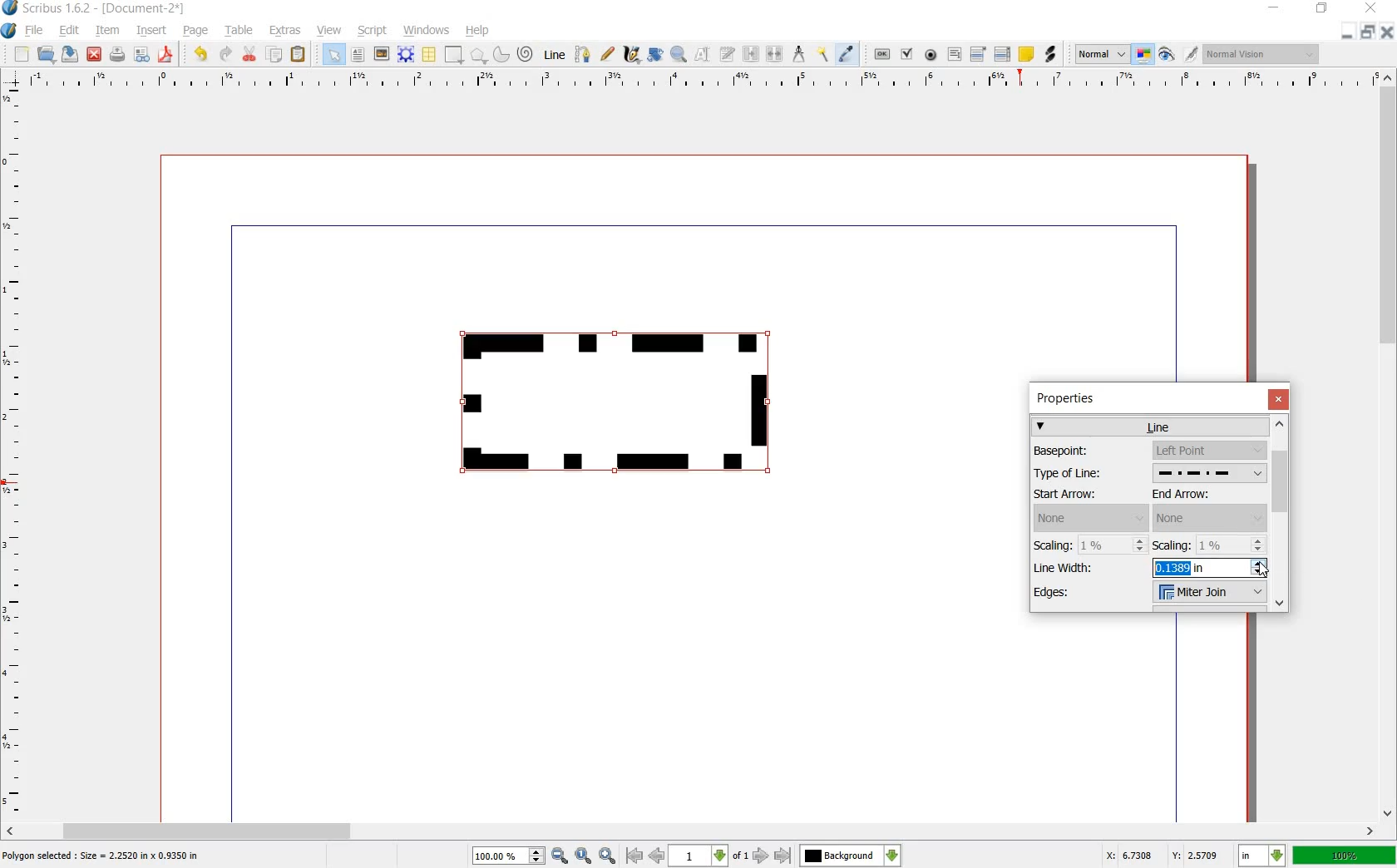 This screenshot has width=1397, height=868. What do you see at coordinates (708, 856) in the screenshot?
I see `select current page` at bounding box center [708, 856].